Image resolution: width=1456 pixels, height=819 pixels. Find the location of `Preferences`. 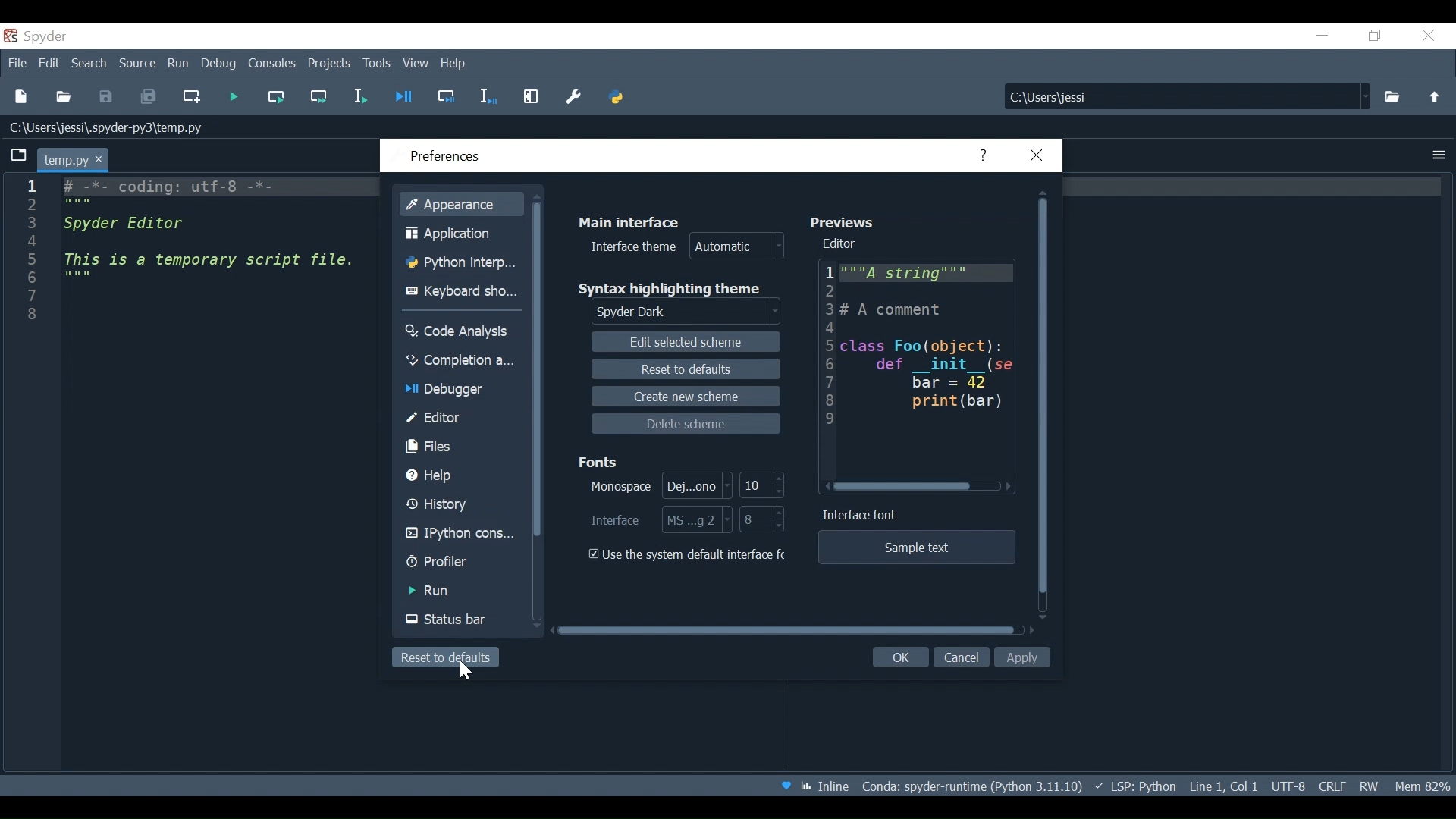

Preferences is located at coordinates (449, 156).